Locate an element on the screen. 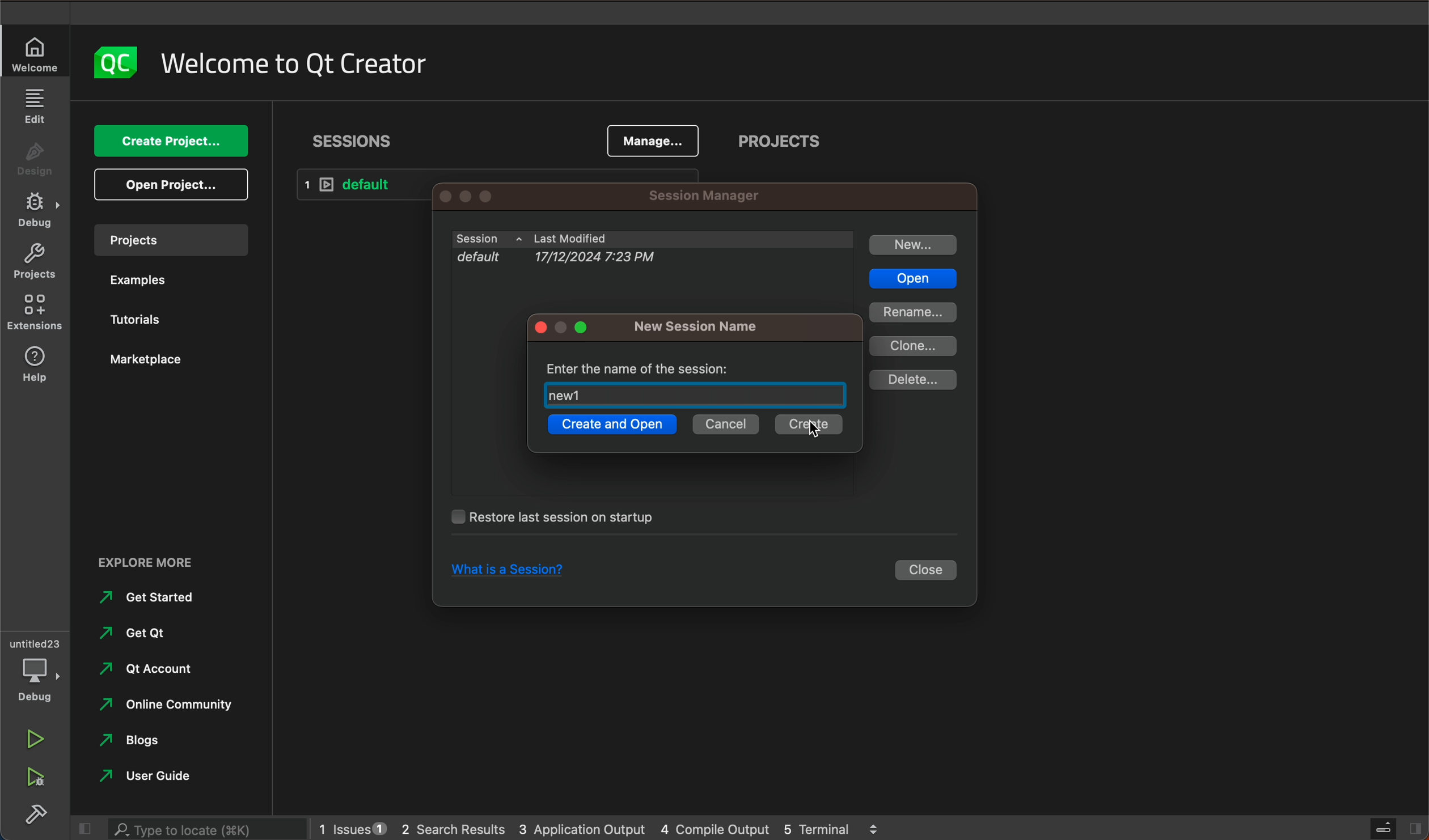 This screenshot has width=1429, height=840. create is located at coordinates (806, 426).